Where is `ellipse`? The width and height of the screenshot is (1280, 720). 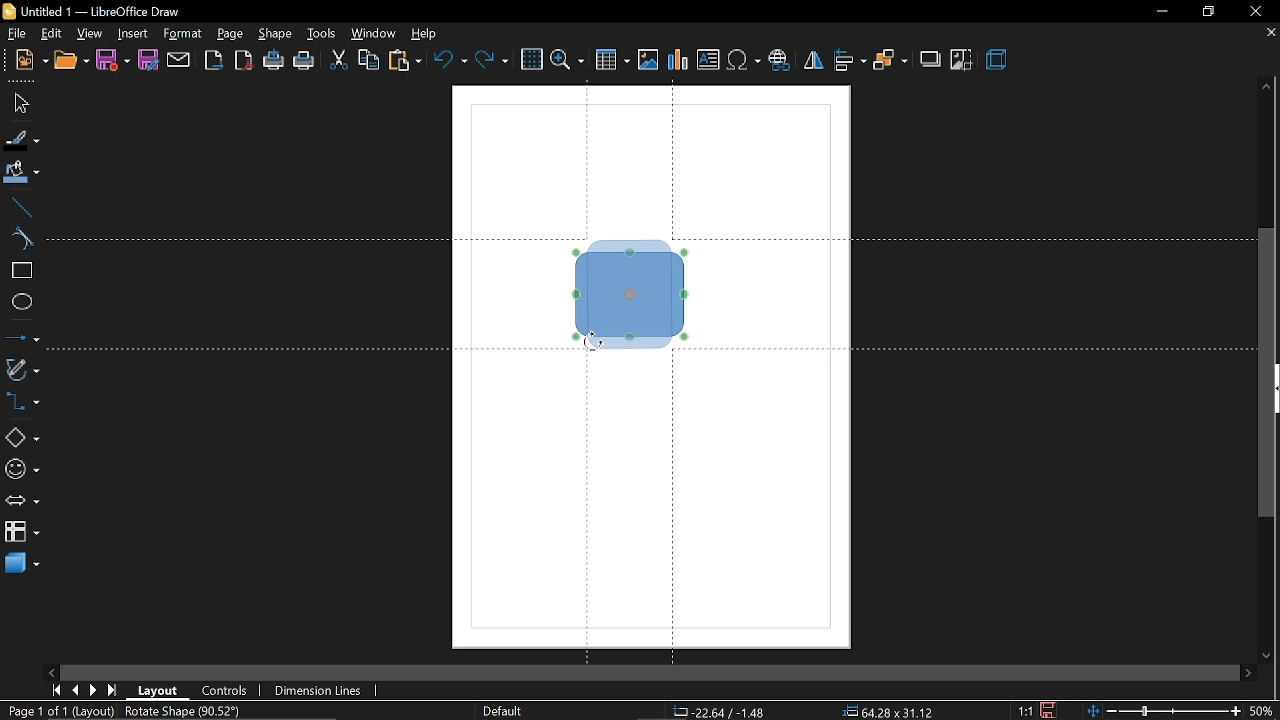 ellipse is located at coordinates (20, 304).